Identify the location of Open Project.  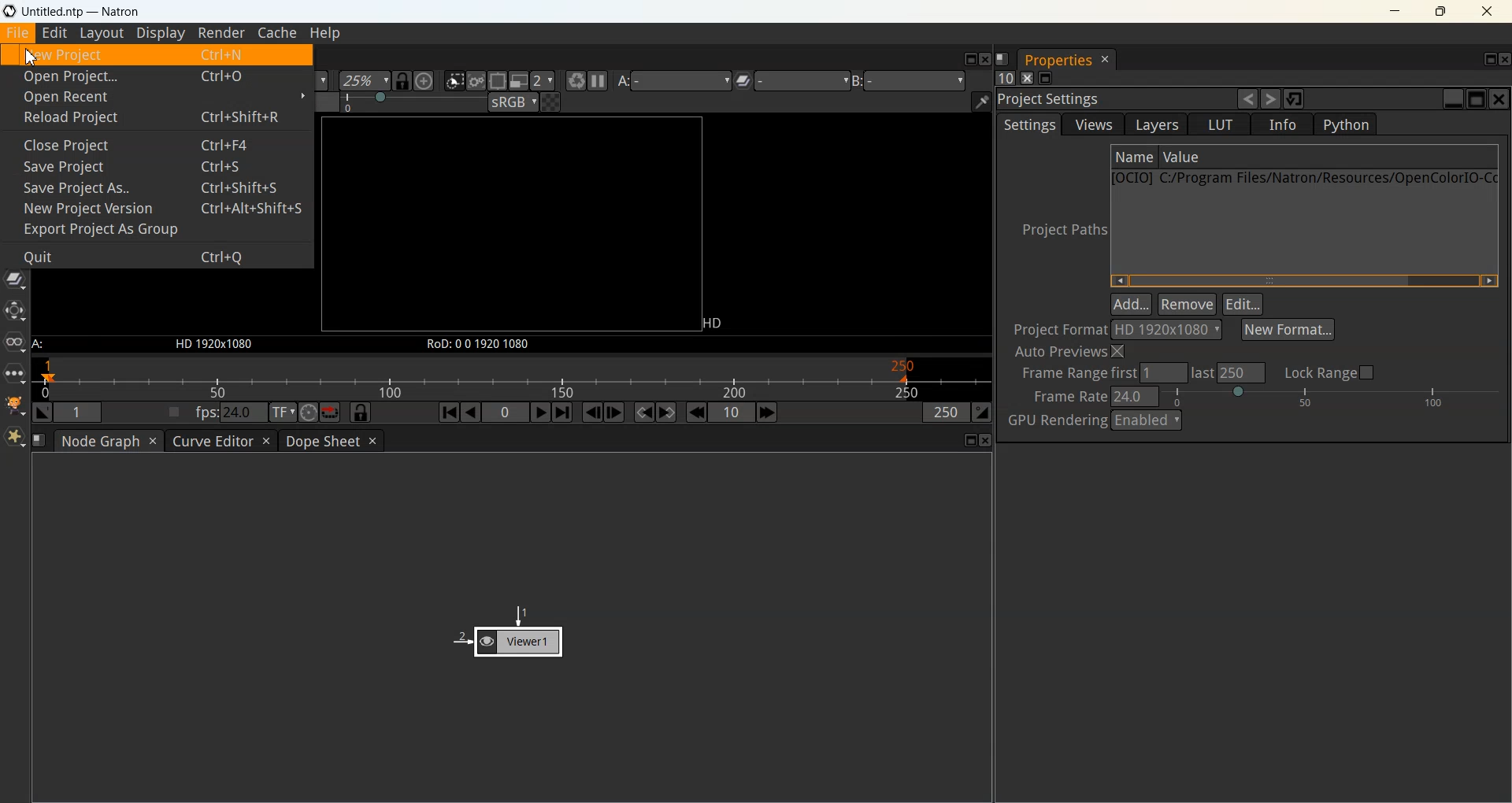
(154, 76).